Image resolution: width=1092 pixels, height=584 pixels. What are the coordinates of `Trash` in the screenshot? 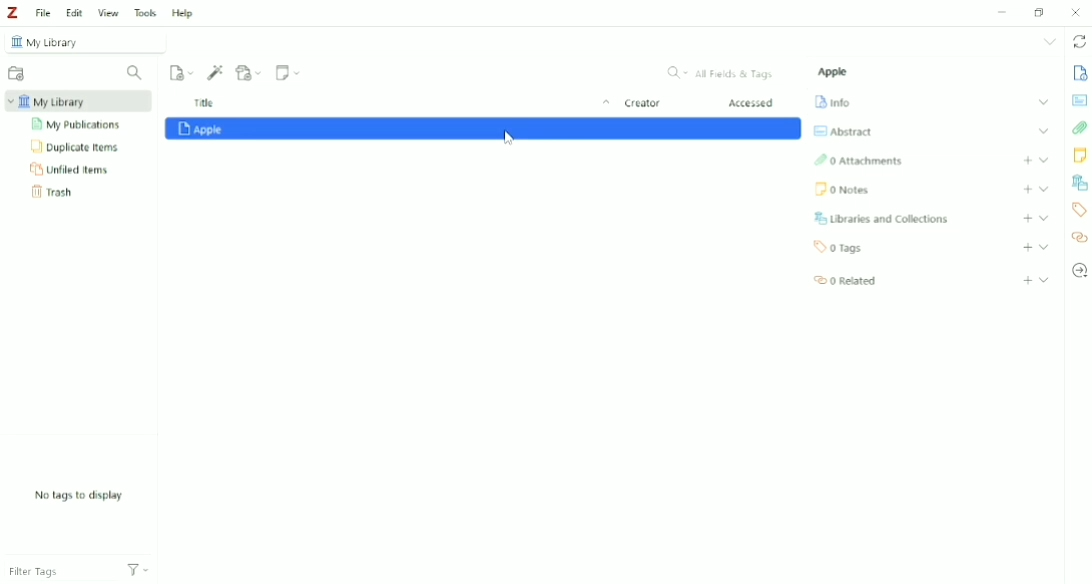 It's located at (55, 193).